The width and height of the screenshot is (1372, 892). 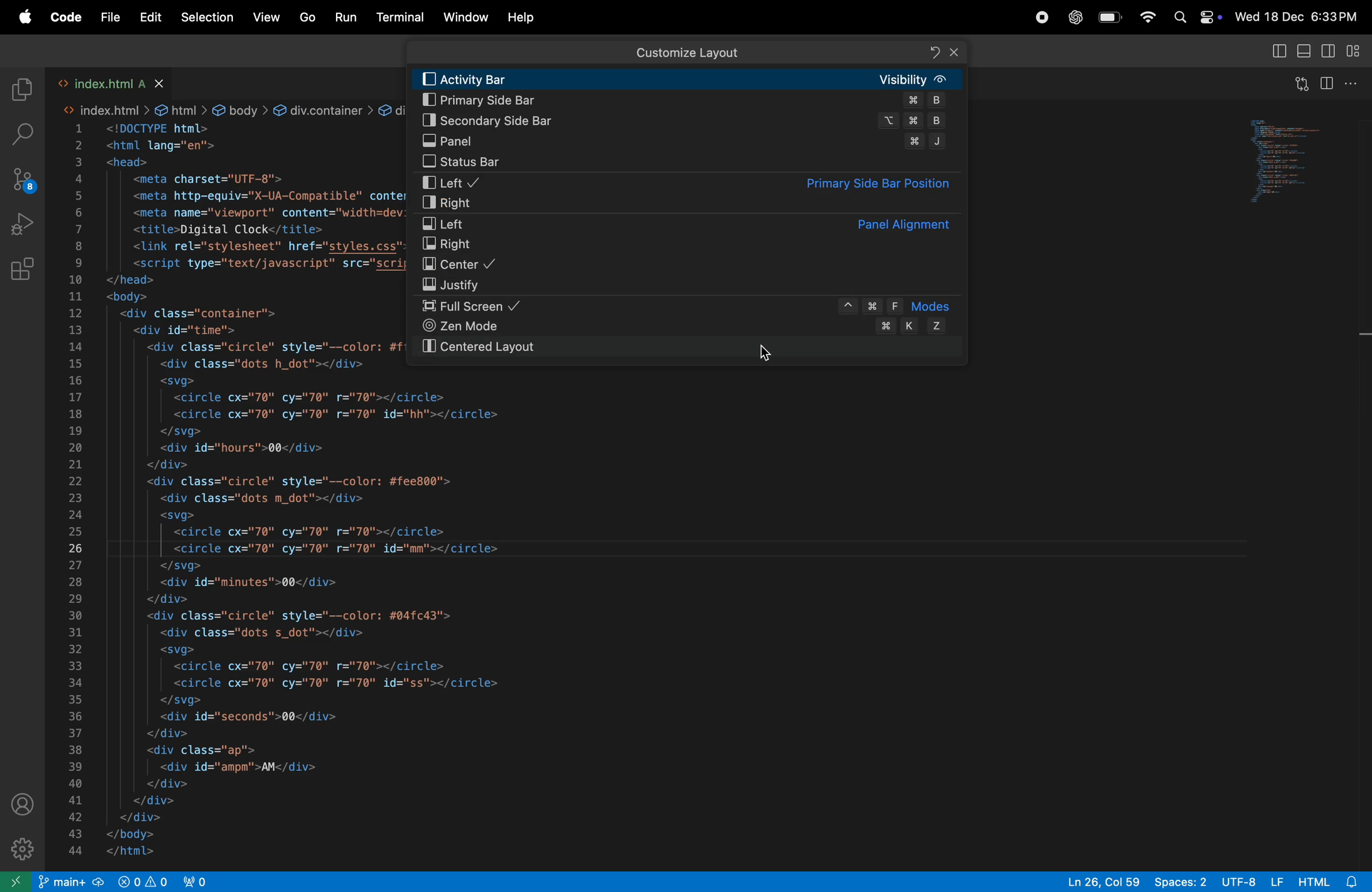 What do you see at coordinates (61, 17) in the screenshot?
I see `Code` at bounding box center [61, 17].